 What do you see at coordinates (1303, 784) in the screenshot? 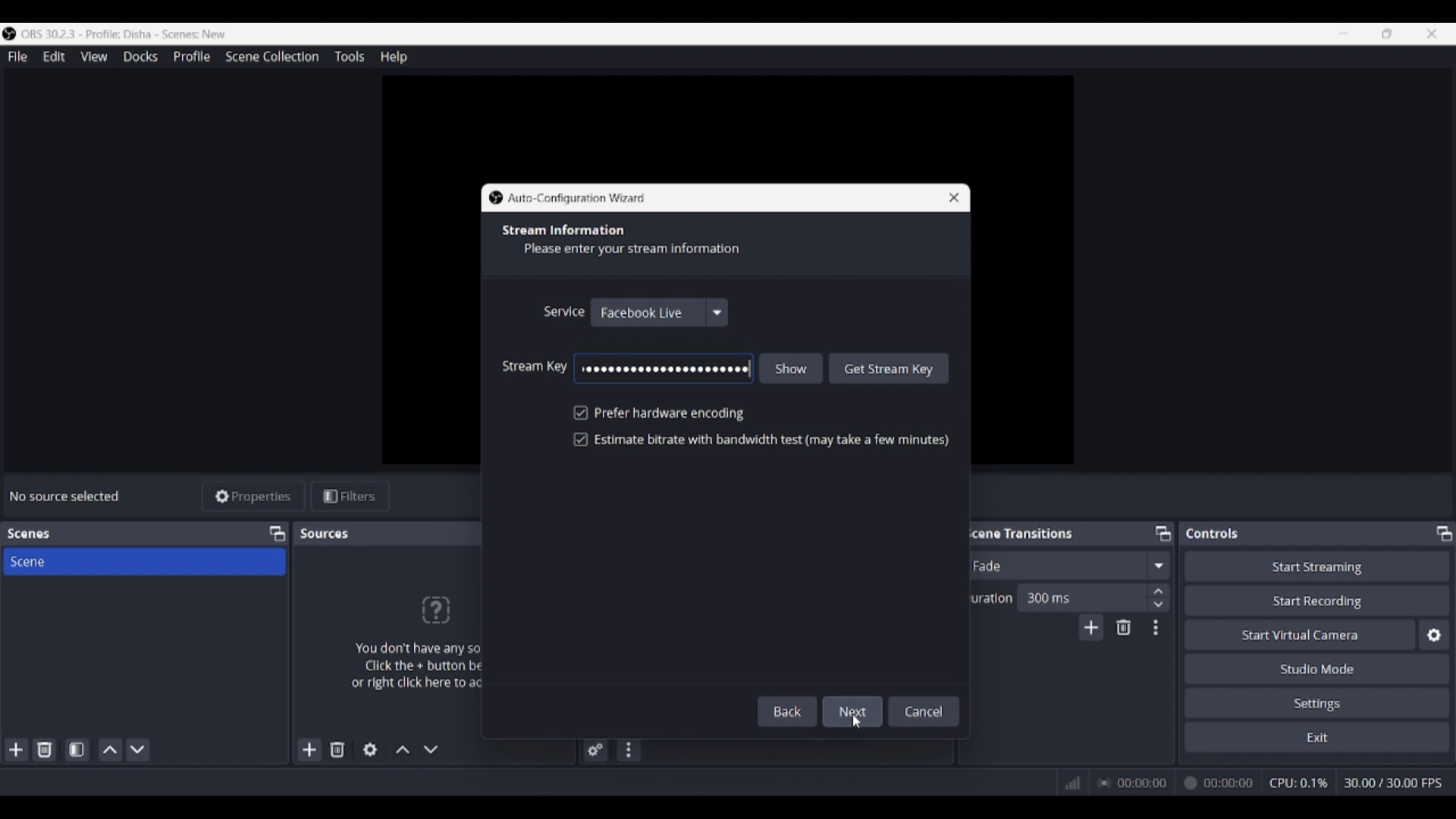
I see `CPU: 0.0%` at bounding box center [1303, 784].